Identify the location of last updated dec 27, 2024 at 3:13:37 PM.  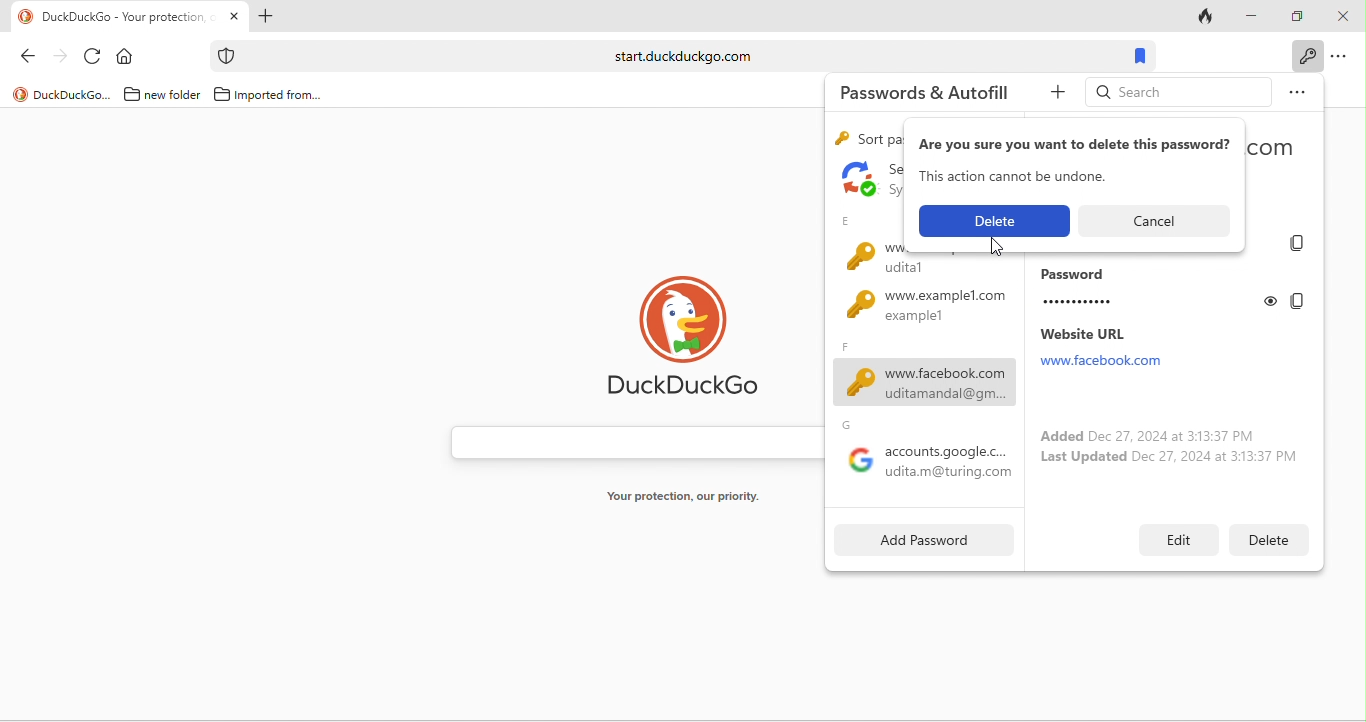
(1171, 460).